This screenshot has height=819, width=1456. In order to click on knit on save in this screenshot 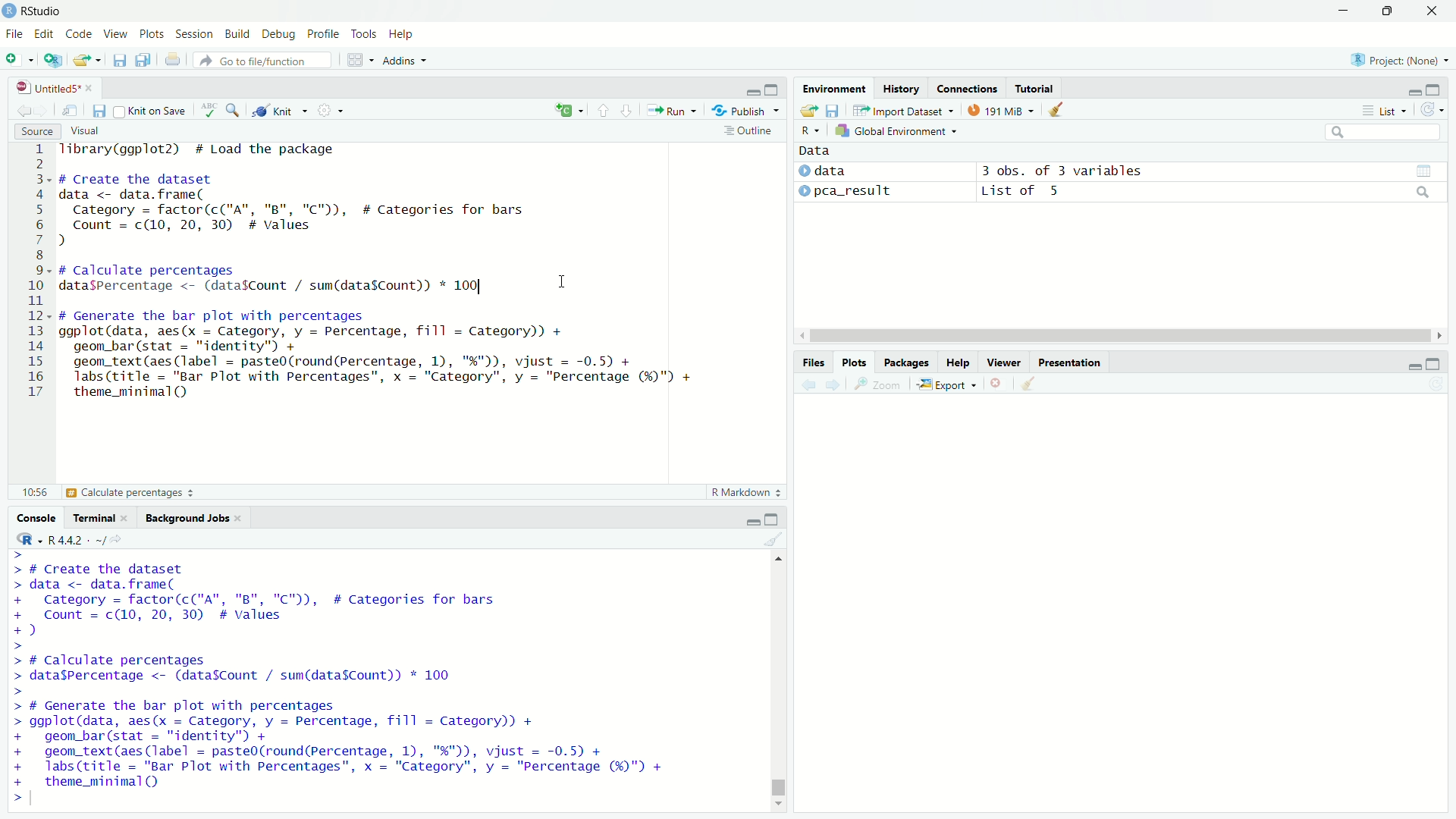, I will do `click(152, 111)`.